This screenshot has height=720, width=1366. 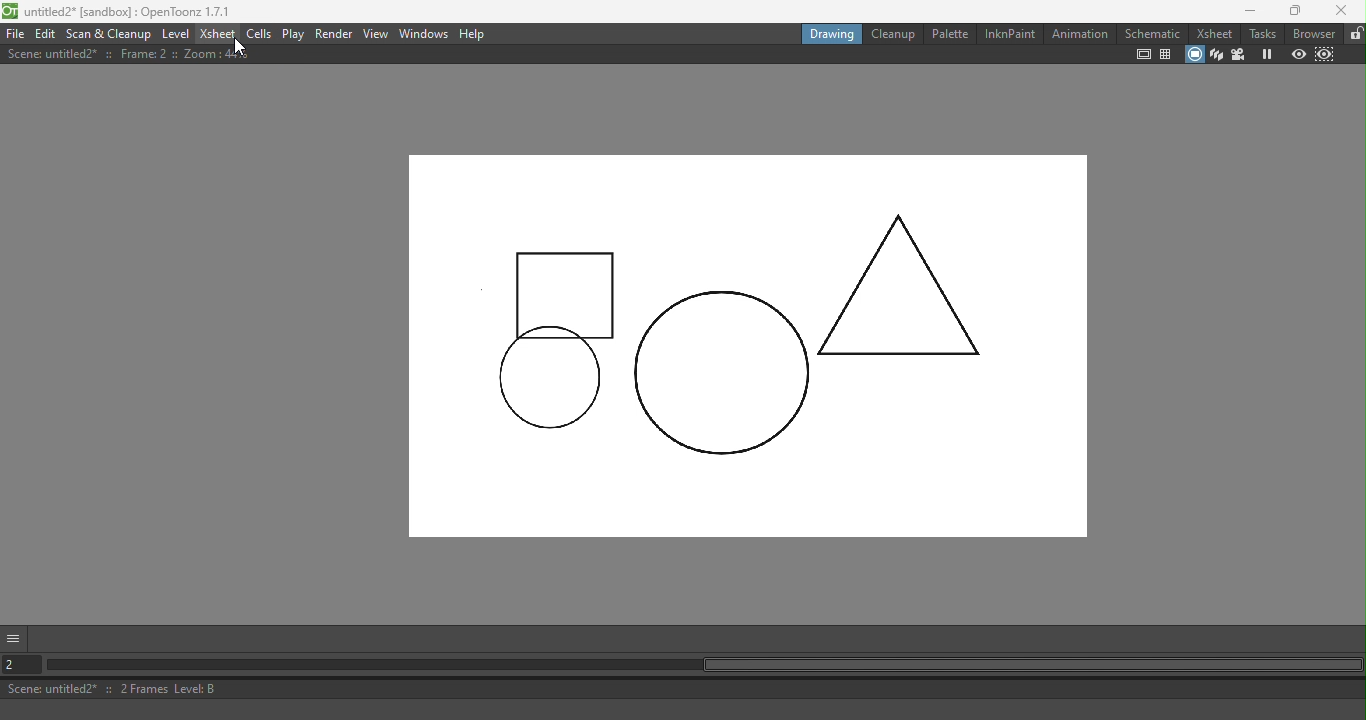 What do you see at coordinates (739, 351) in the screenshot?
I see `Canvas` at bounding box center [739, 351].